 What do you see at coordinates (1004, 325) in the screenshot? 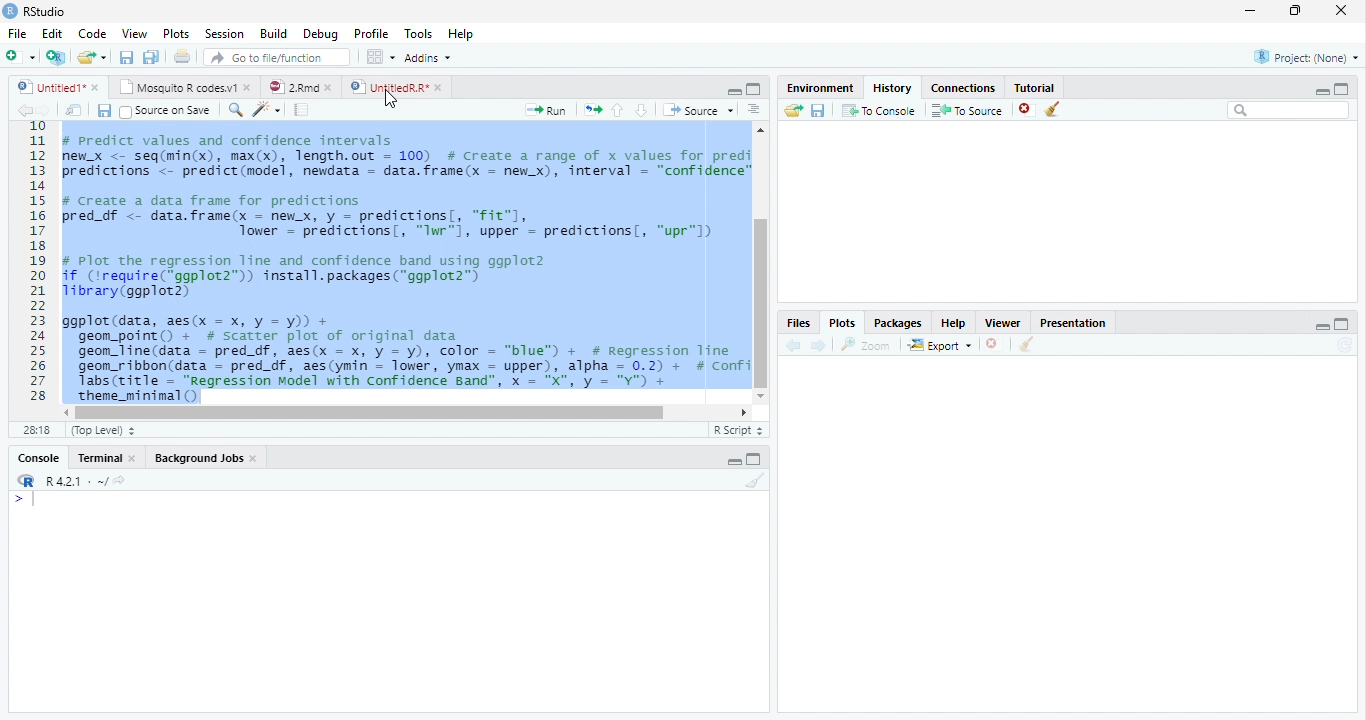
I see `Viewer` at bounding box center [1004, 325].